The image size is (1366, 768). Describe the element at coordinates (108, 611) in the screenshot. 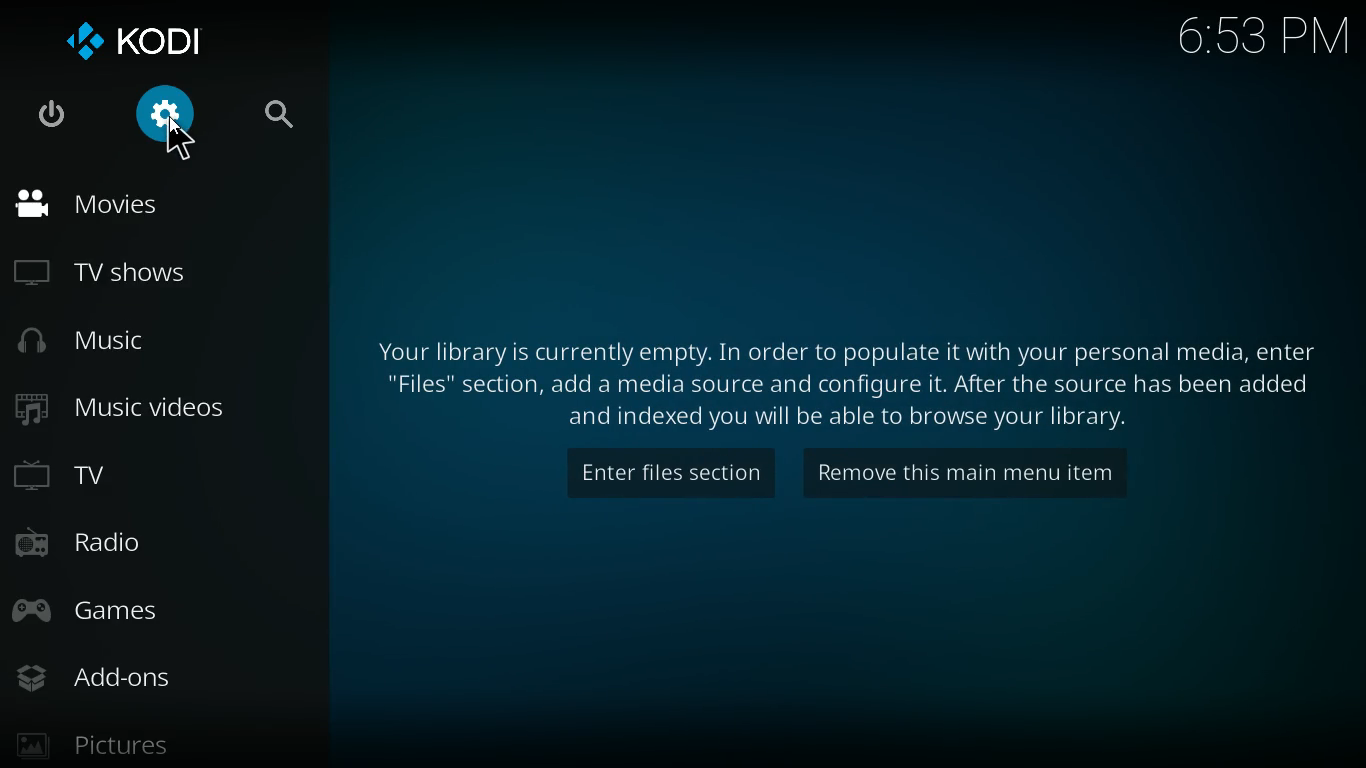

I see `games` at that location.